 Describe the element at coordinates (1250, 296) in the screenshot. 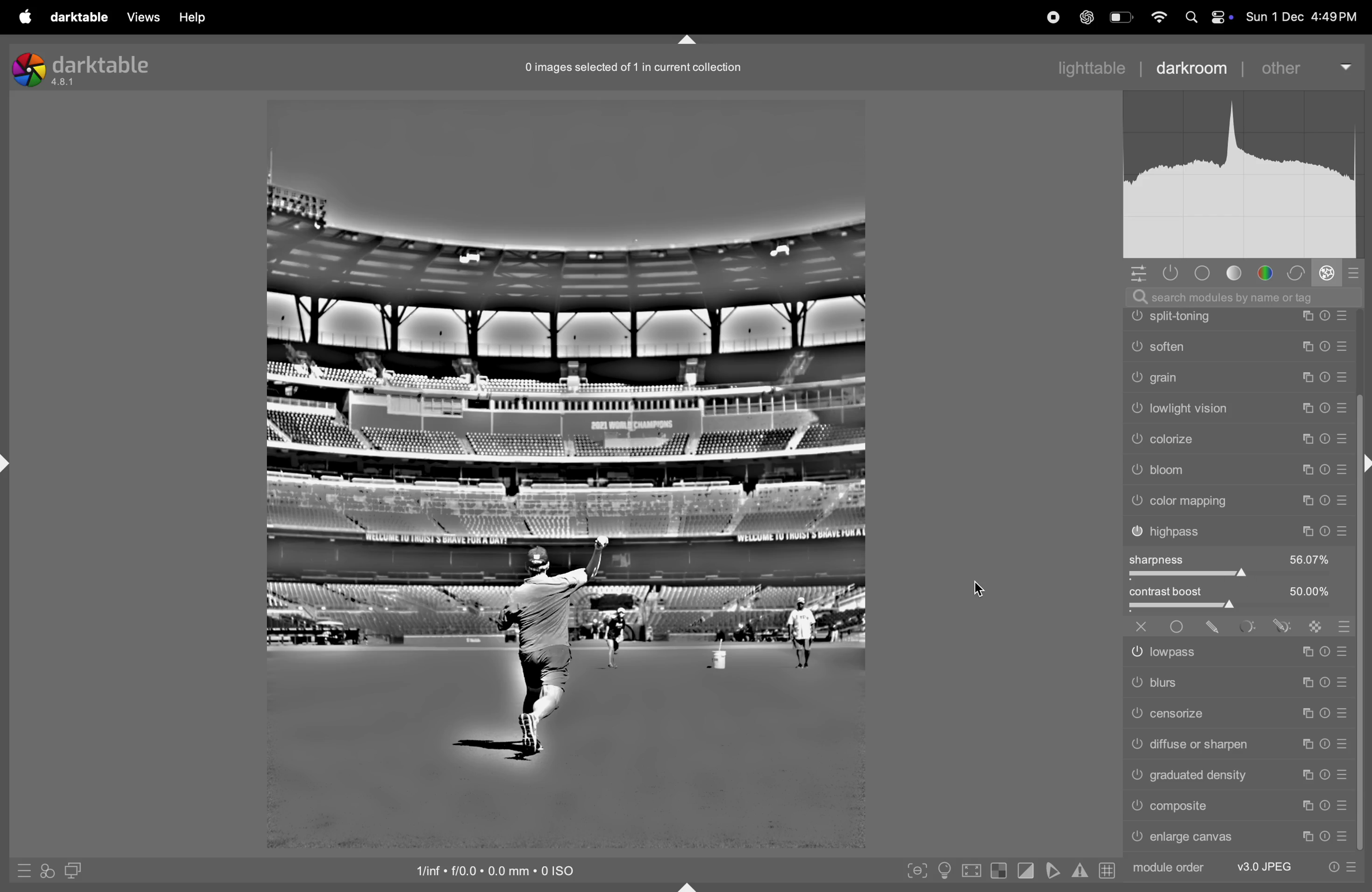

I see `searchbar` at that location.